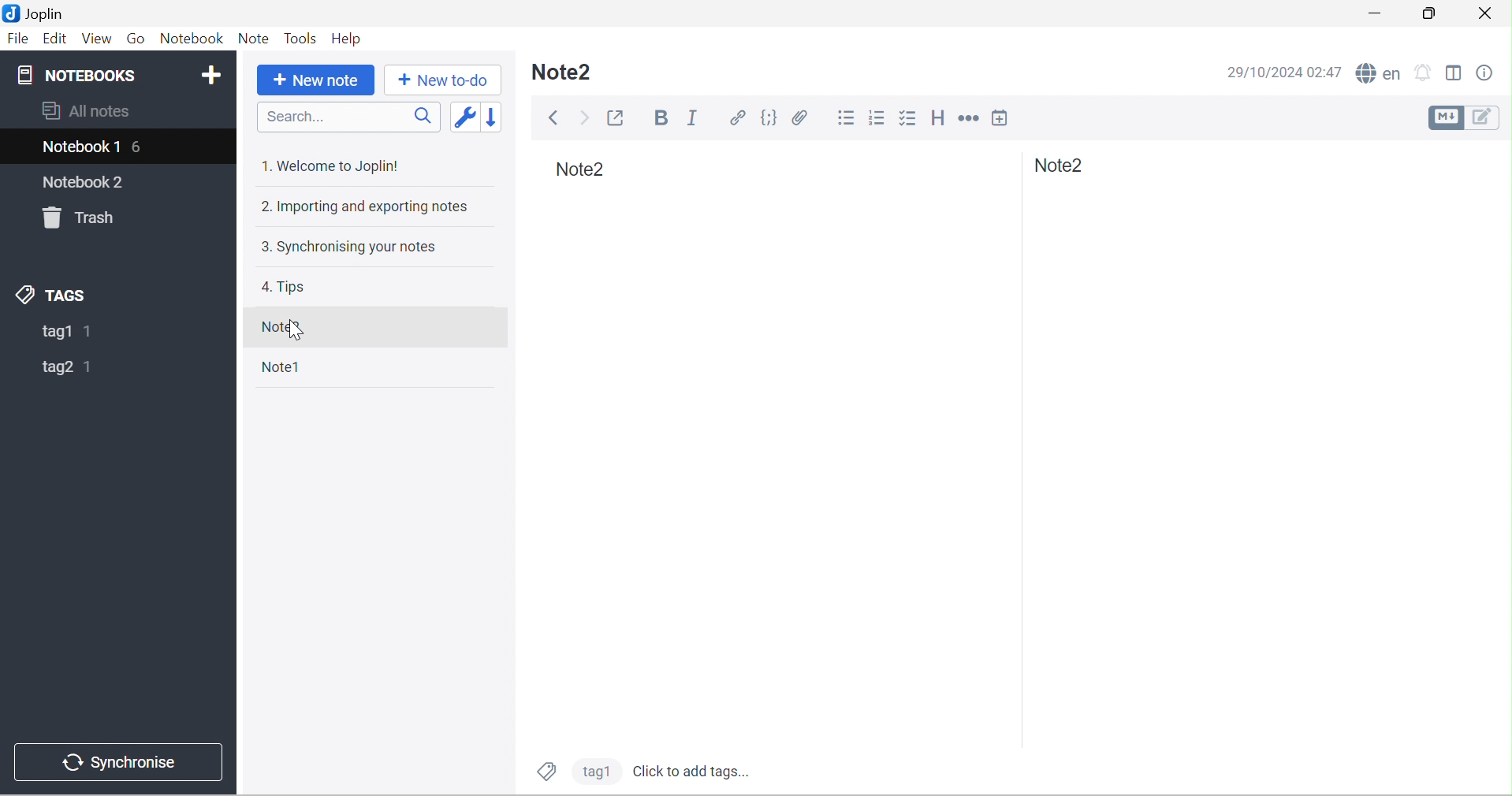 The height and width of the screenshot is (796, 1512). What do you see at coordinates (298, 118) in the screenshot?
I see `Search...` at bounding box center [298, 118].